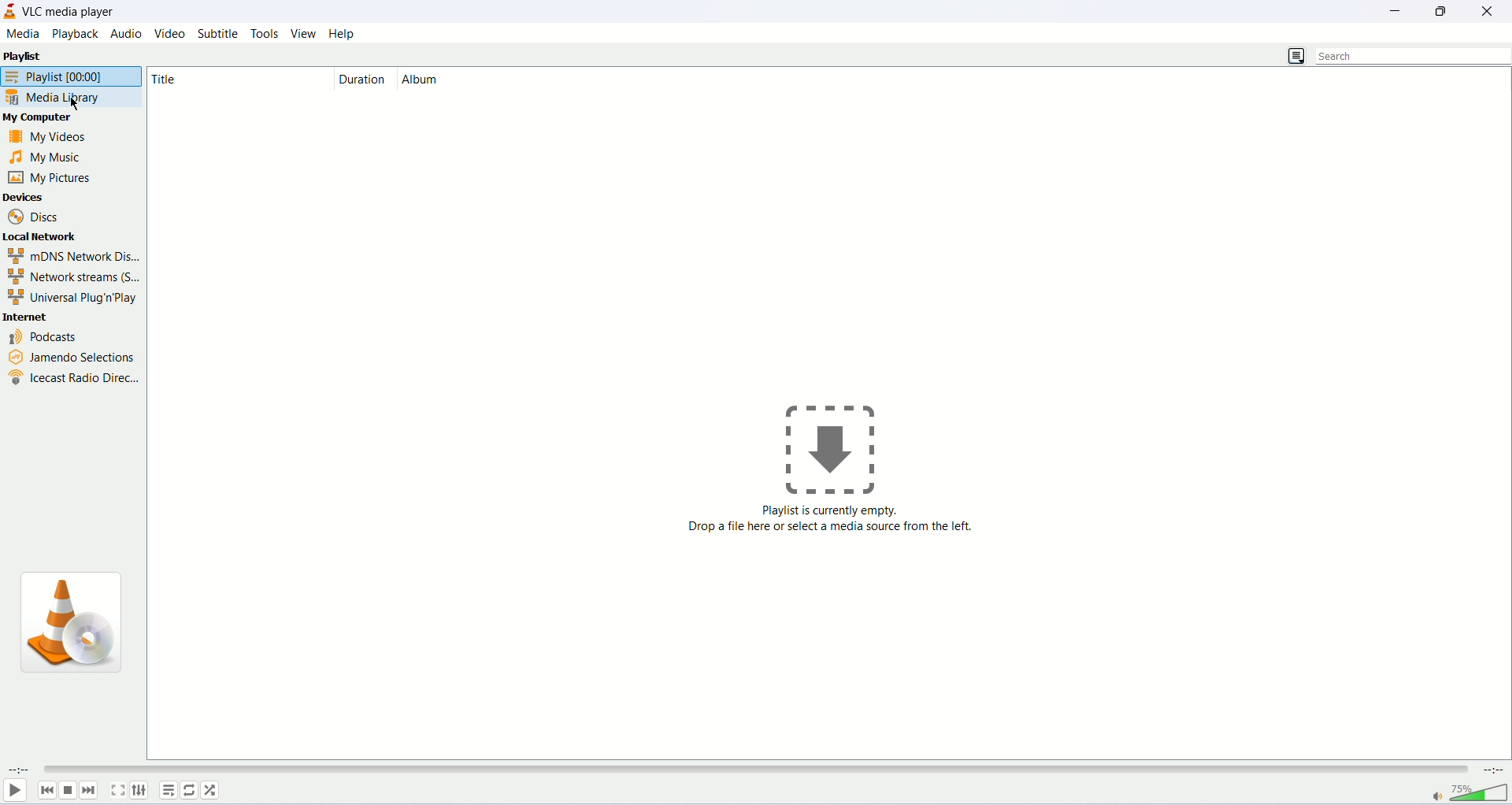  What do you see at coordinates (168, 790) in the screenshot?
I see `playlist` at bounding box center [168, 790].